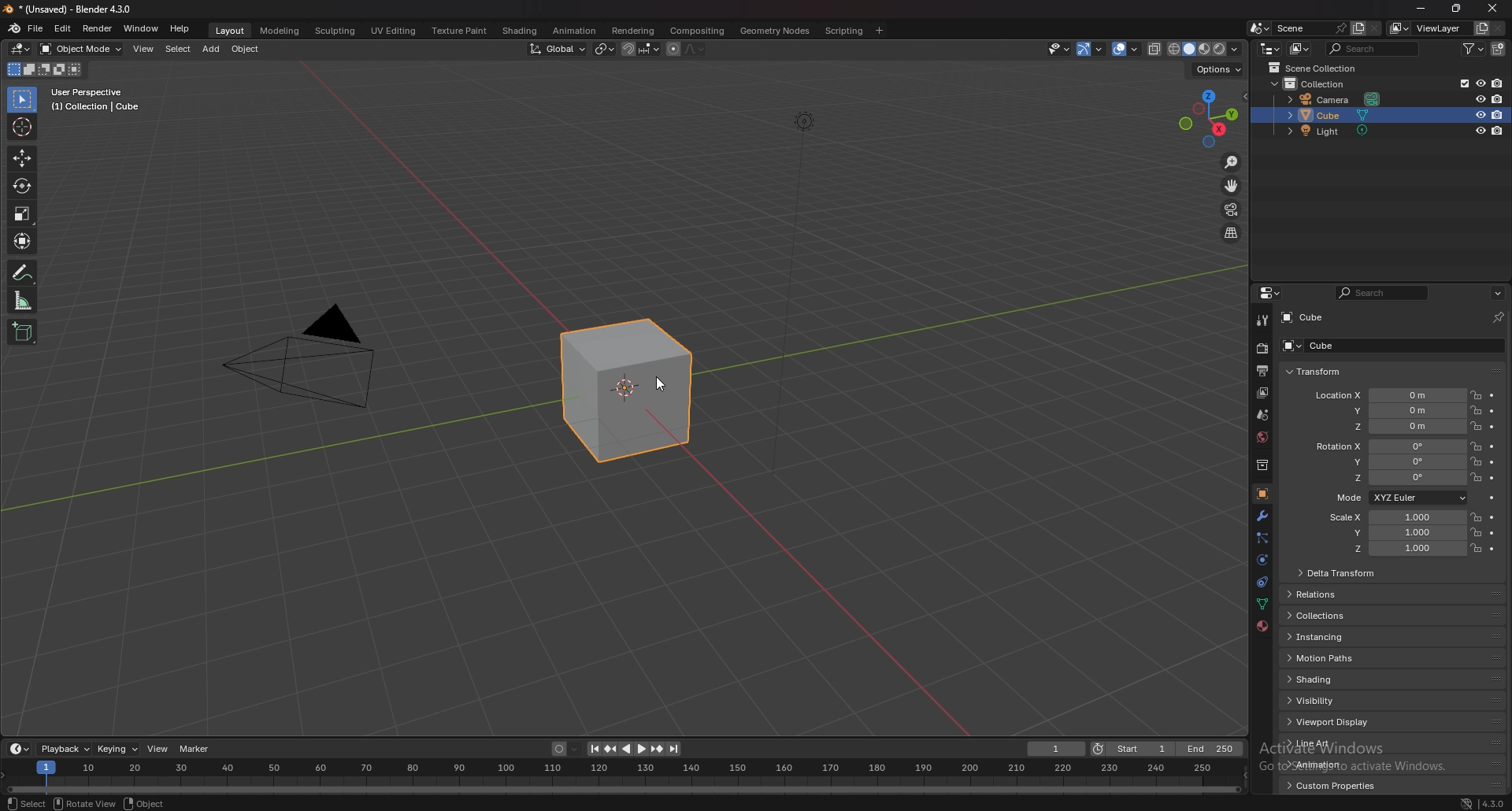 The image size is (1512, 811). I want to click on seek, so click(624, 777).